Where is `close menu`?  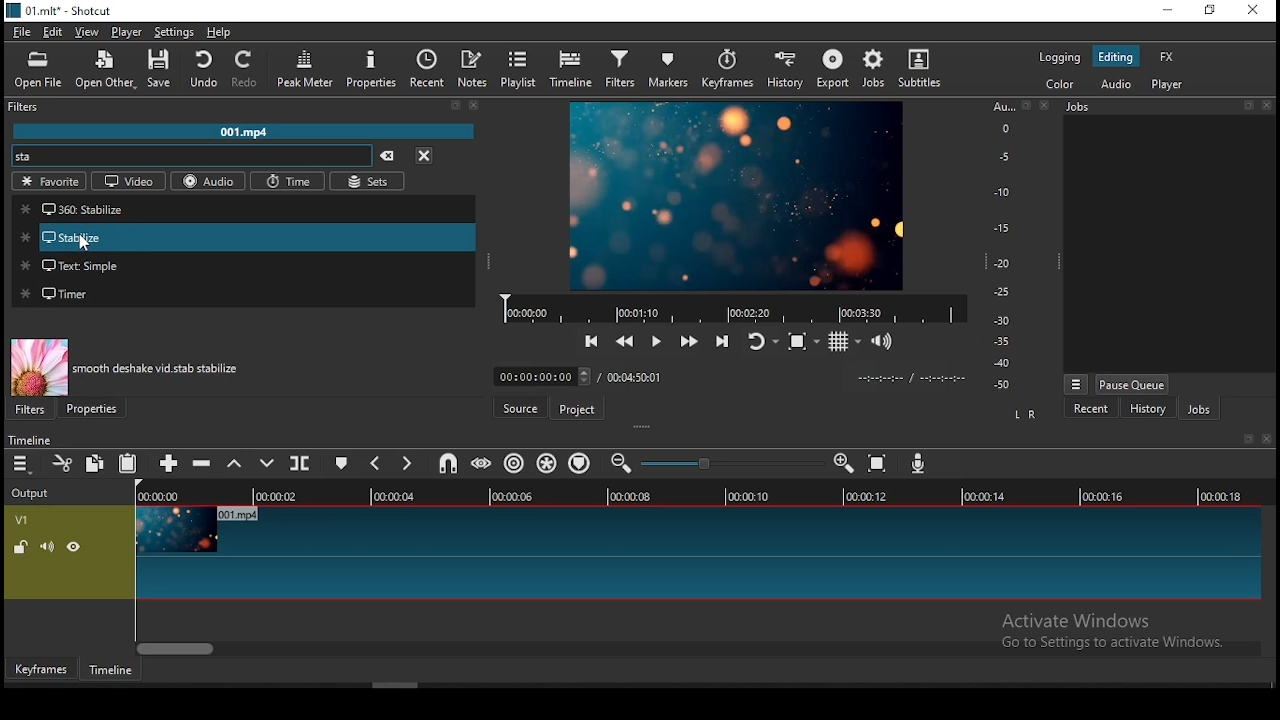
close menu is located at coordinates (423, 155).